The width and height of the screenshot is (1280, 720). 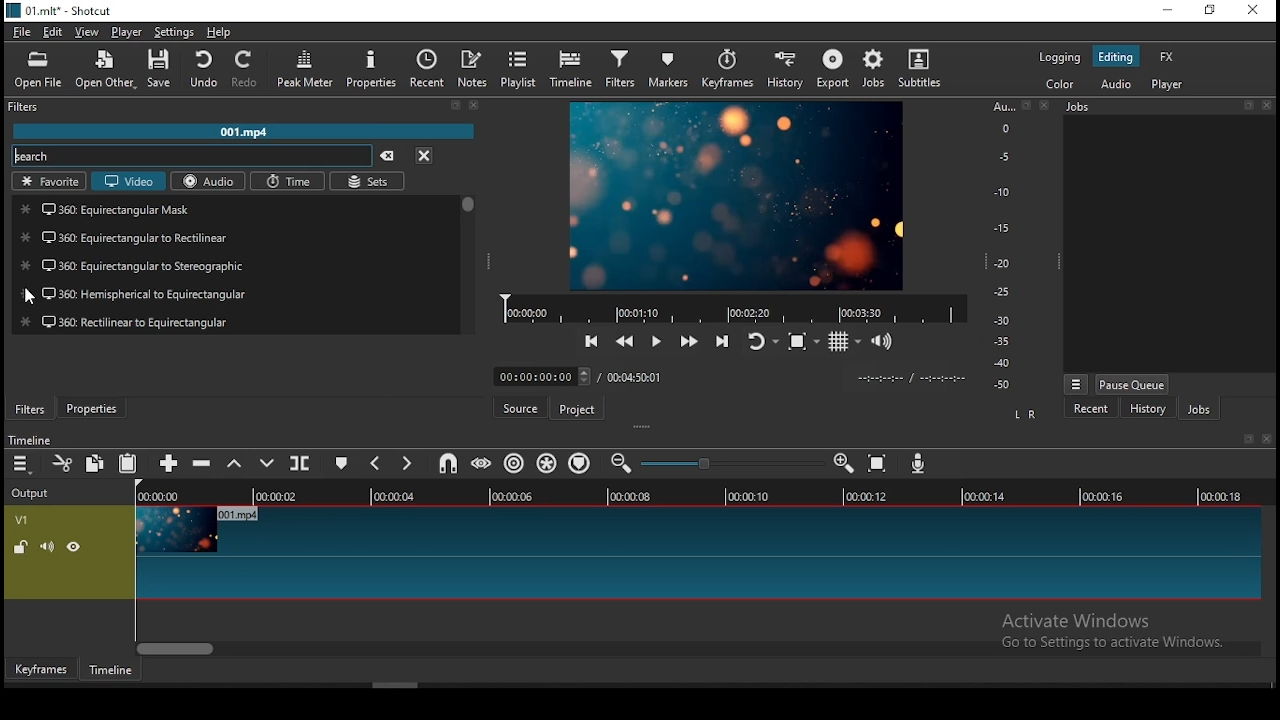 What do you see at coordinates (1165, 57) in the screenshot?
I see `fx` at bounding box center [1165, 57].